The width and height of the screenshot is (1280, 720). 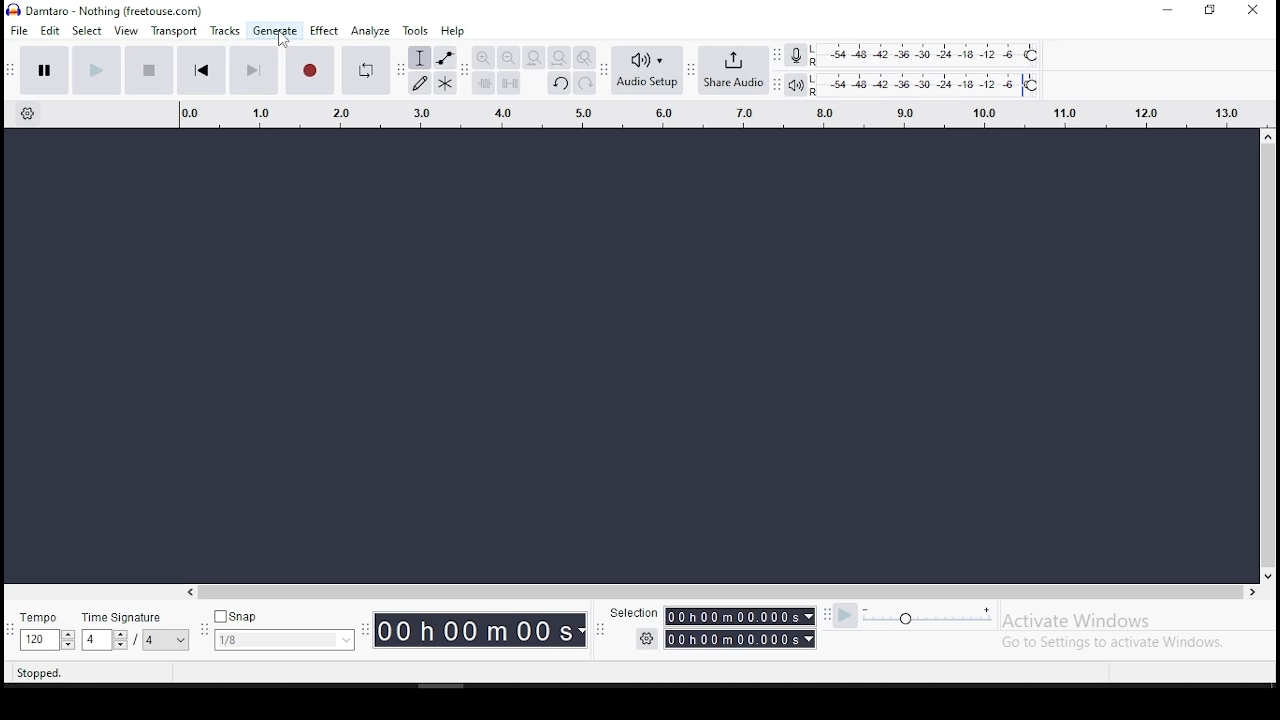 What do you see at coordinates (254, 70) in the screenshot?
I see `skip to end` at bounding box center [254, 70].